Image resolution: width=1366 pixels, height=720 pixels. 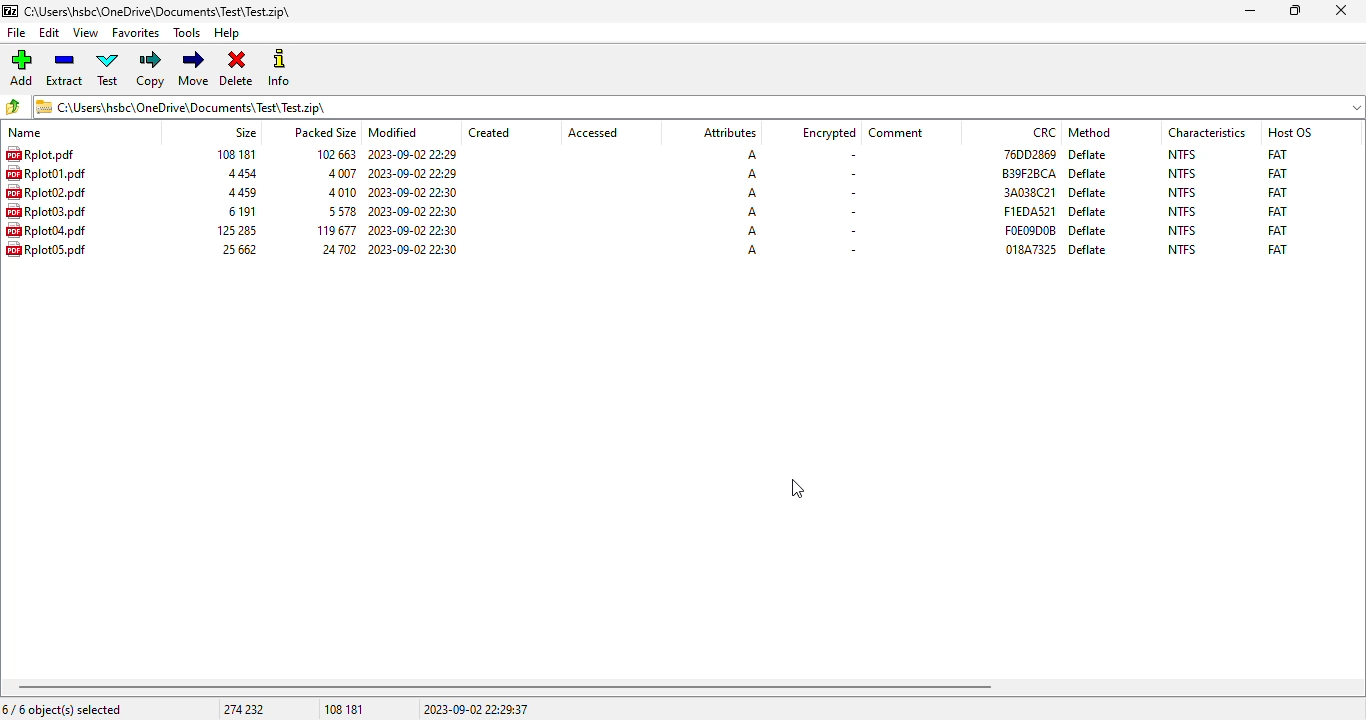 What do you see at coordinates (136, 33) in the screenshot?
I see `favorites` at bounding box center [136, 33].